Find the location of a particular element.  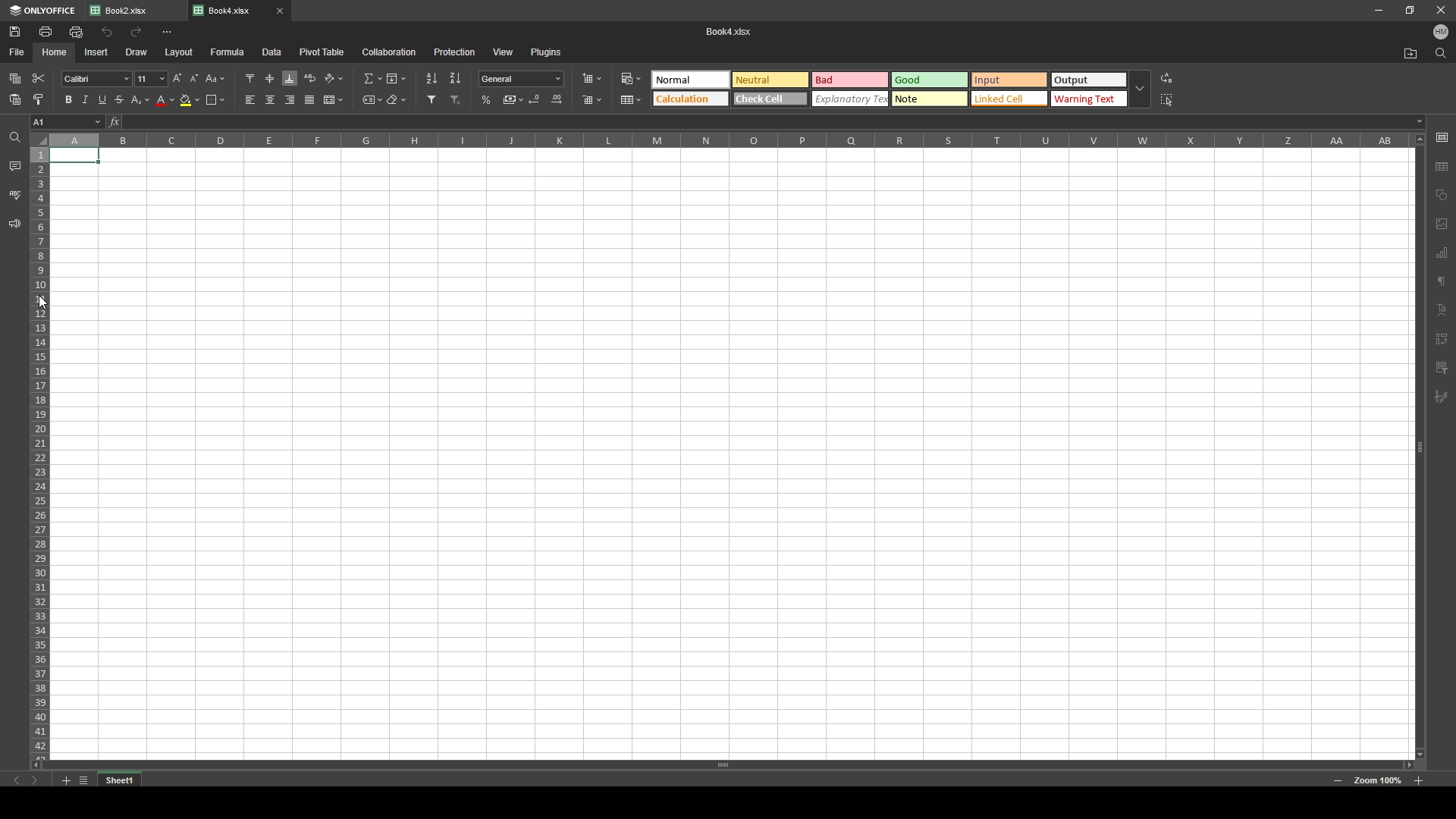

Warning text is located at coordinates (1090, 99).